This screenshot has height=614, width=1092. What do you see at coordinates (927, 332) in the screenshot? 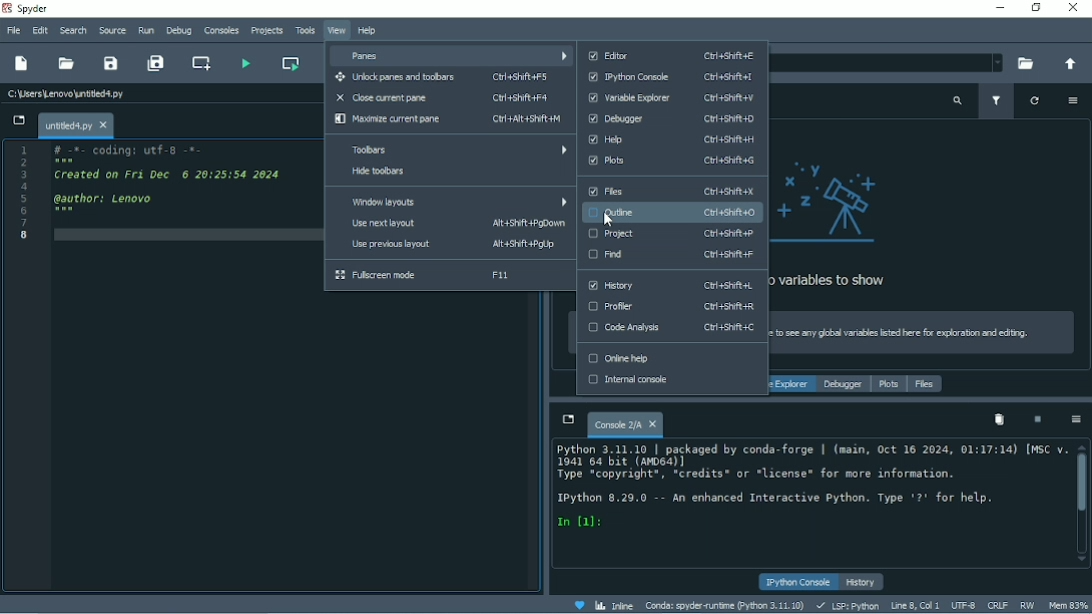
I see `Run code in the editor or IPython console to see any global variables listed here for exploration and editing.` at bounding box center [927, 332].